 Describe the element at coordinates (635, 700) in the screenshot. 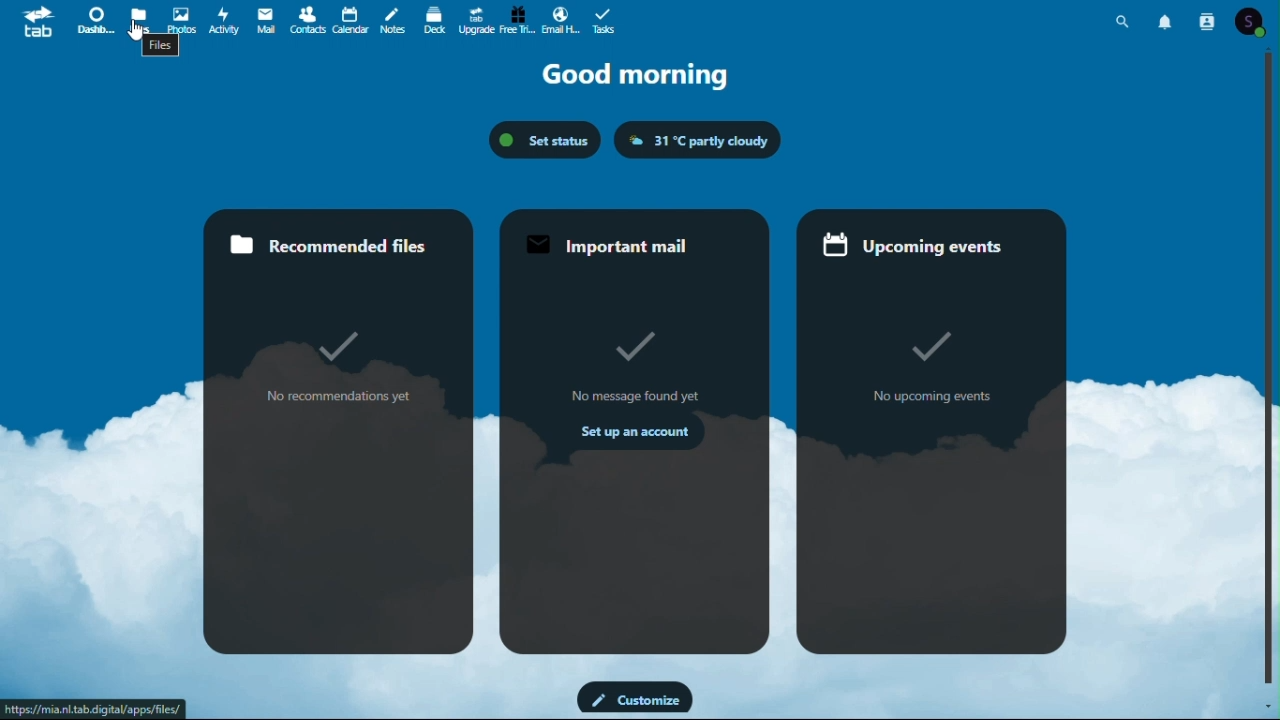

I see `customize` at that location.